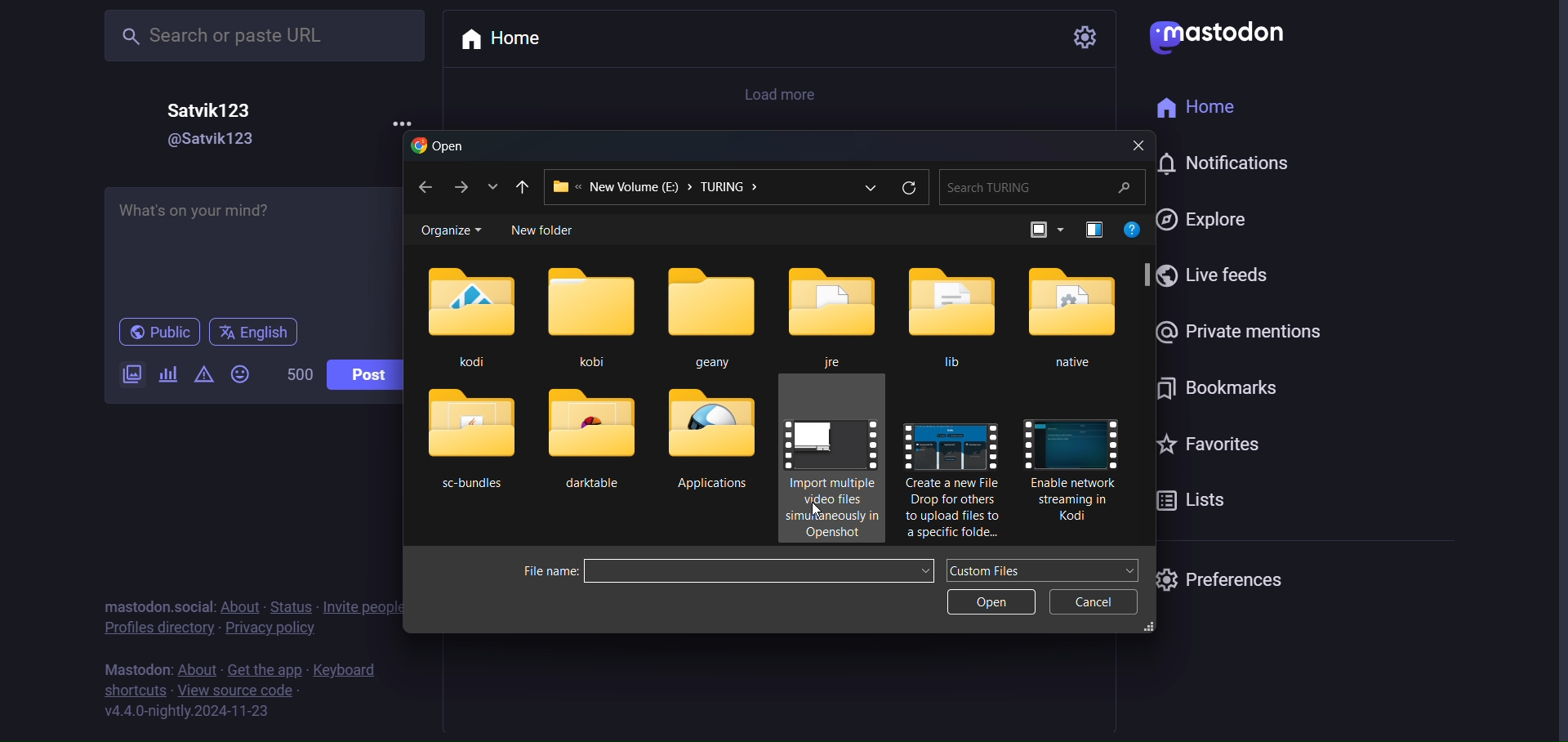 The image size is (1568, 742). Describe the element at coordinates (1192, 503) in the screenshot. I see `lists` at that location.